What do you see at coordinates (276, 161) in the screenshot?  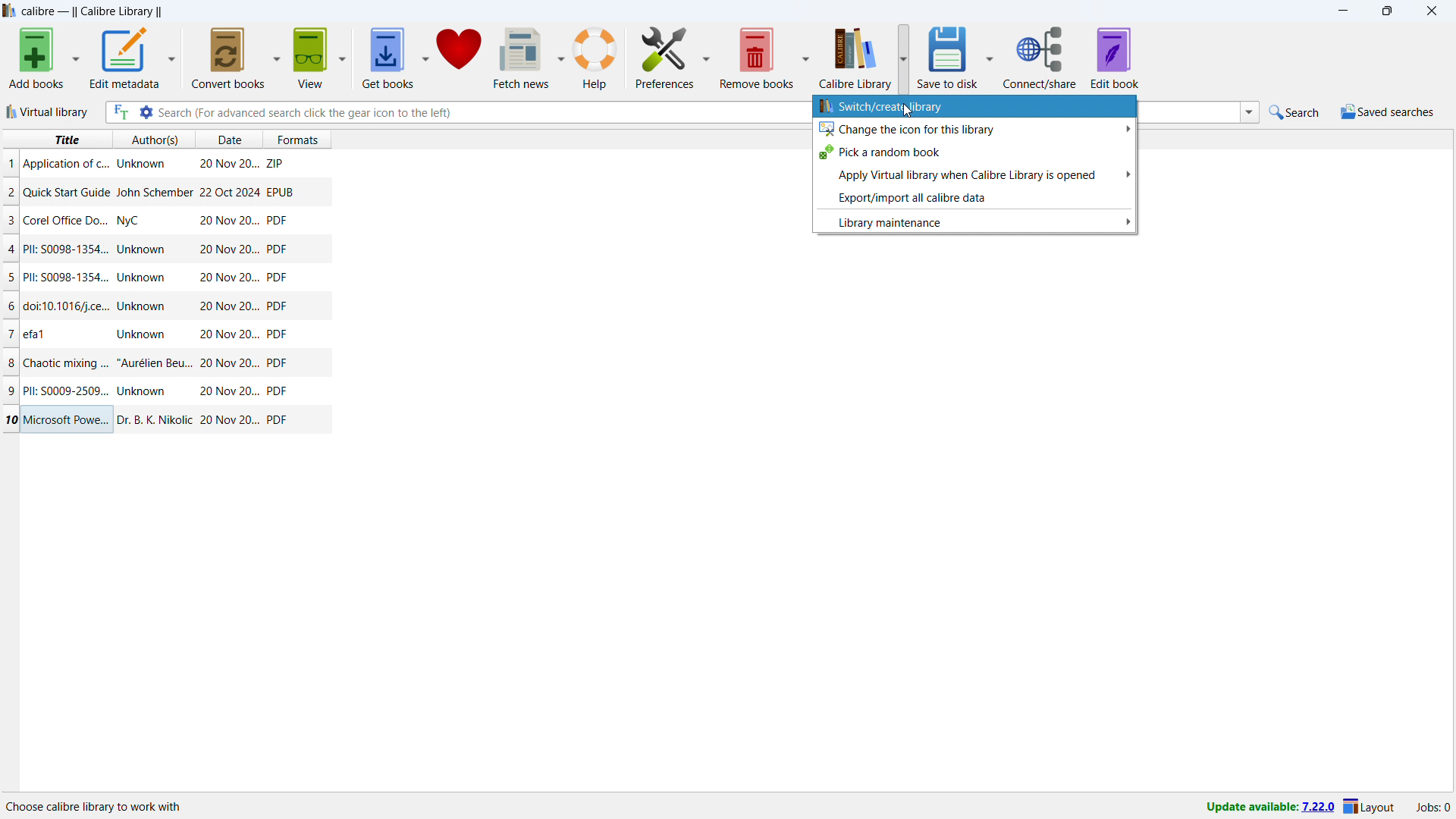 I see `ZIP` at bounding box center [276, 161].